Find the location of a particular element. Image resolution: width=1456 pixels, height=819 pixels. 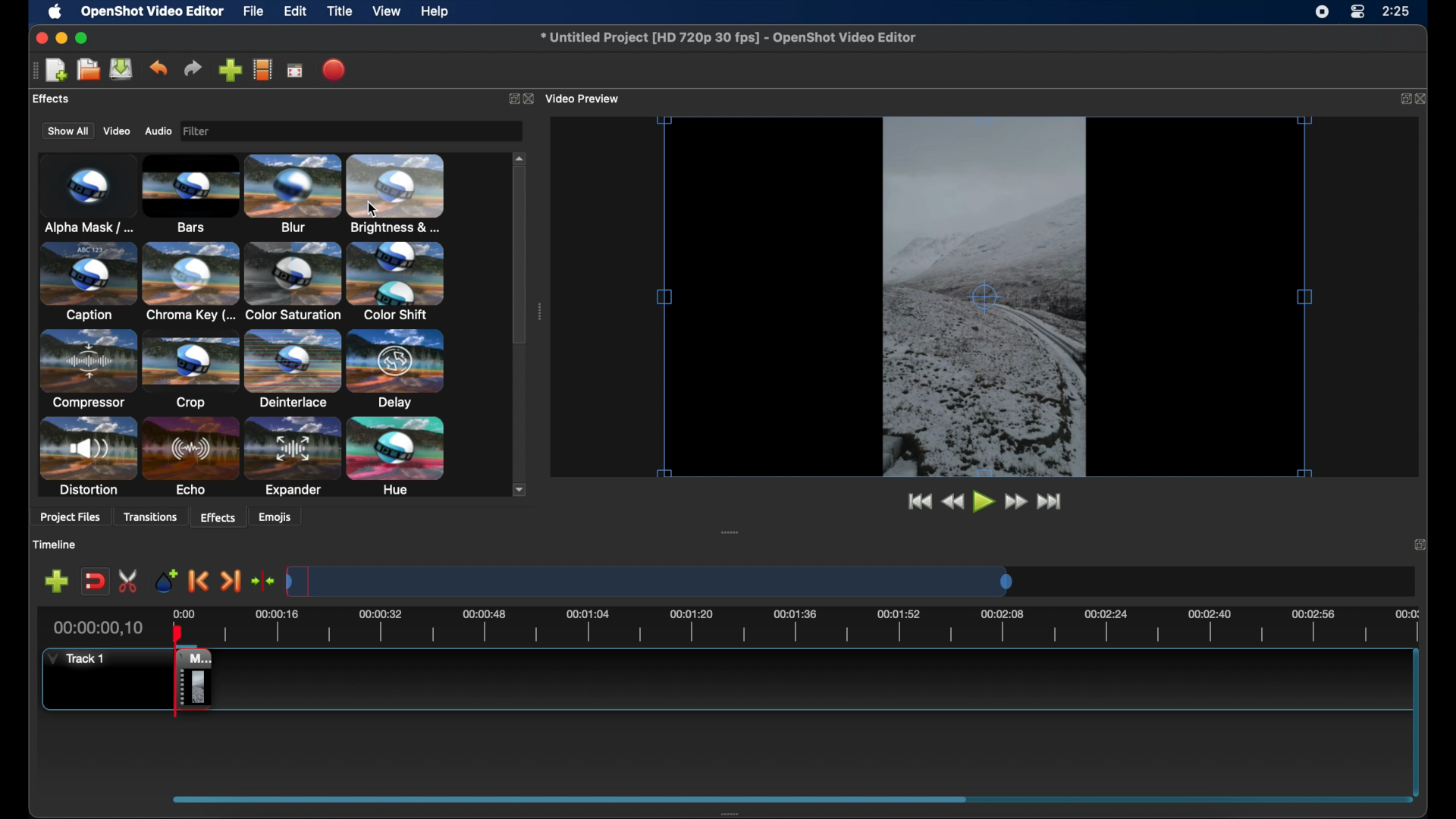

playhead is located at coordinates (178, 632).